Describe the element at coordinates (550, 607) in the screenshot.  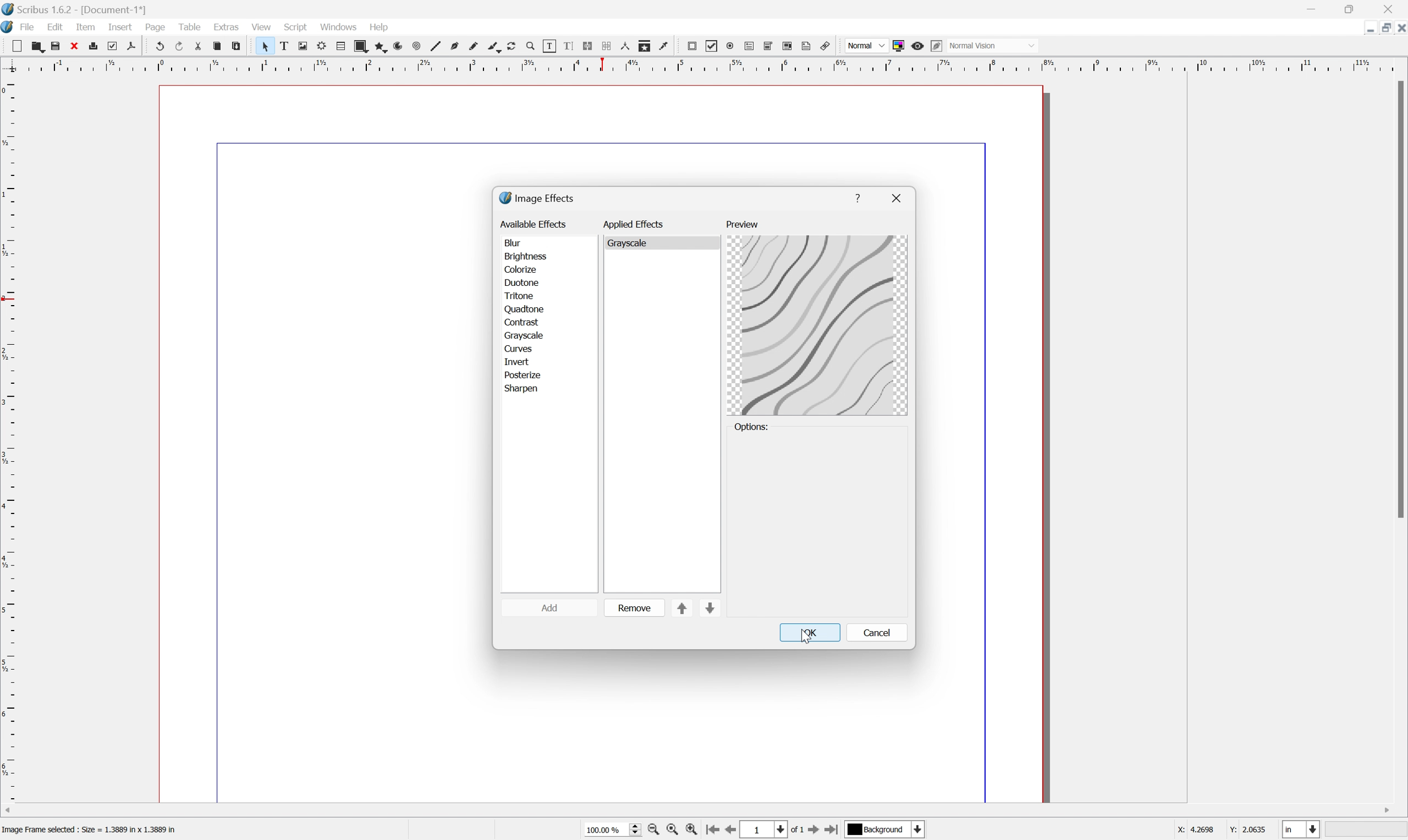
I see `add` at that location.